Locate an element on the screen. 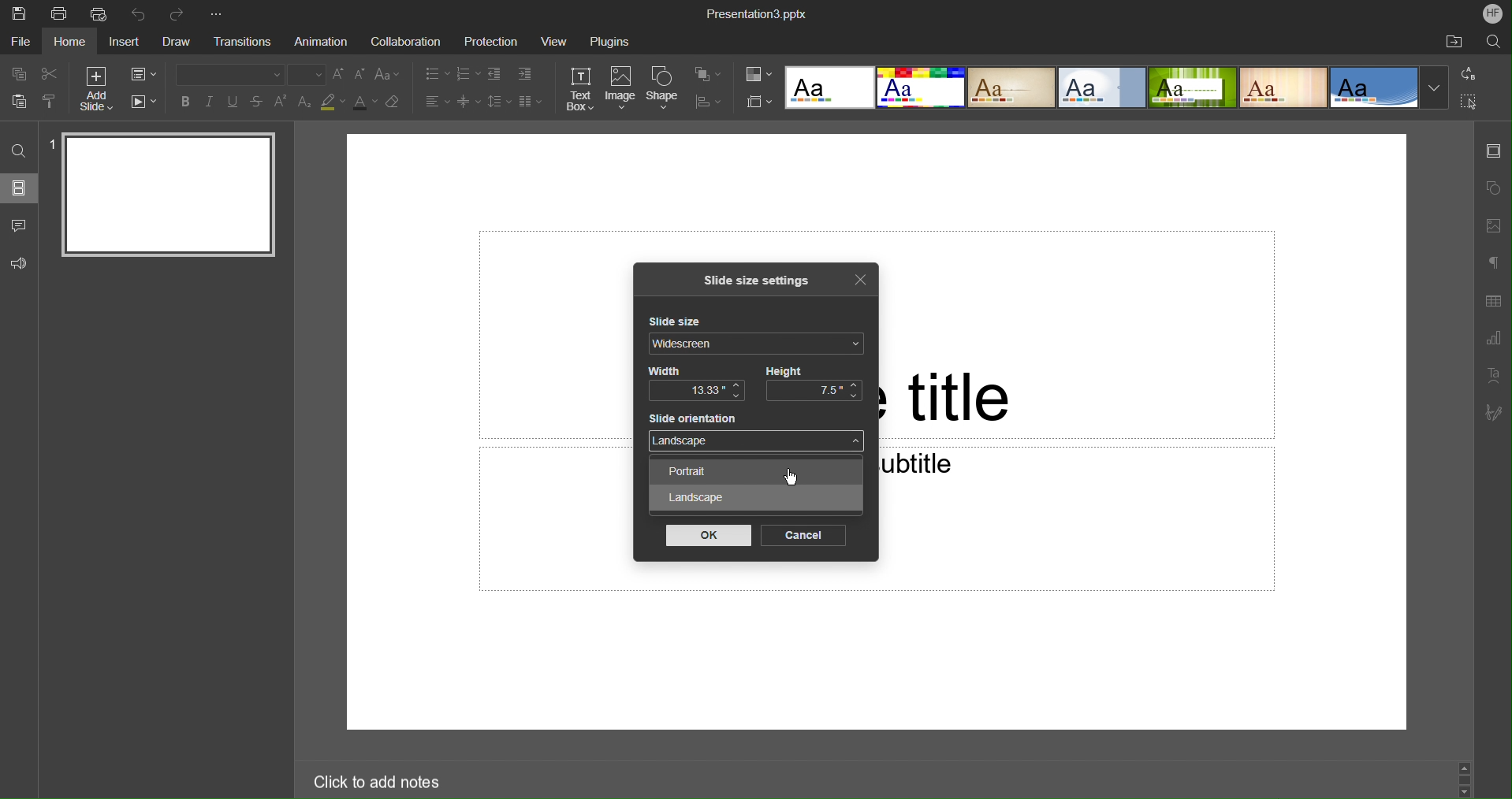 Image resolution: width=1512 pixels, height=799 pixels. Height is located at coordinates (786, 370).